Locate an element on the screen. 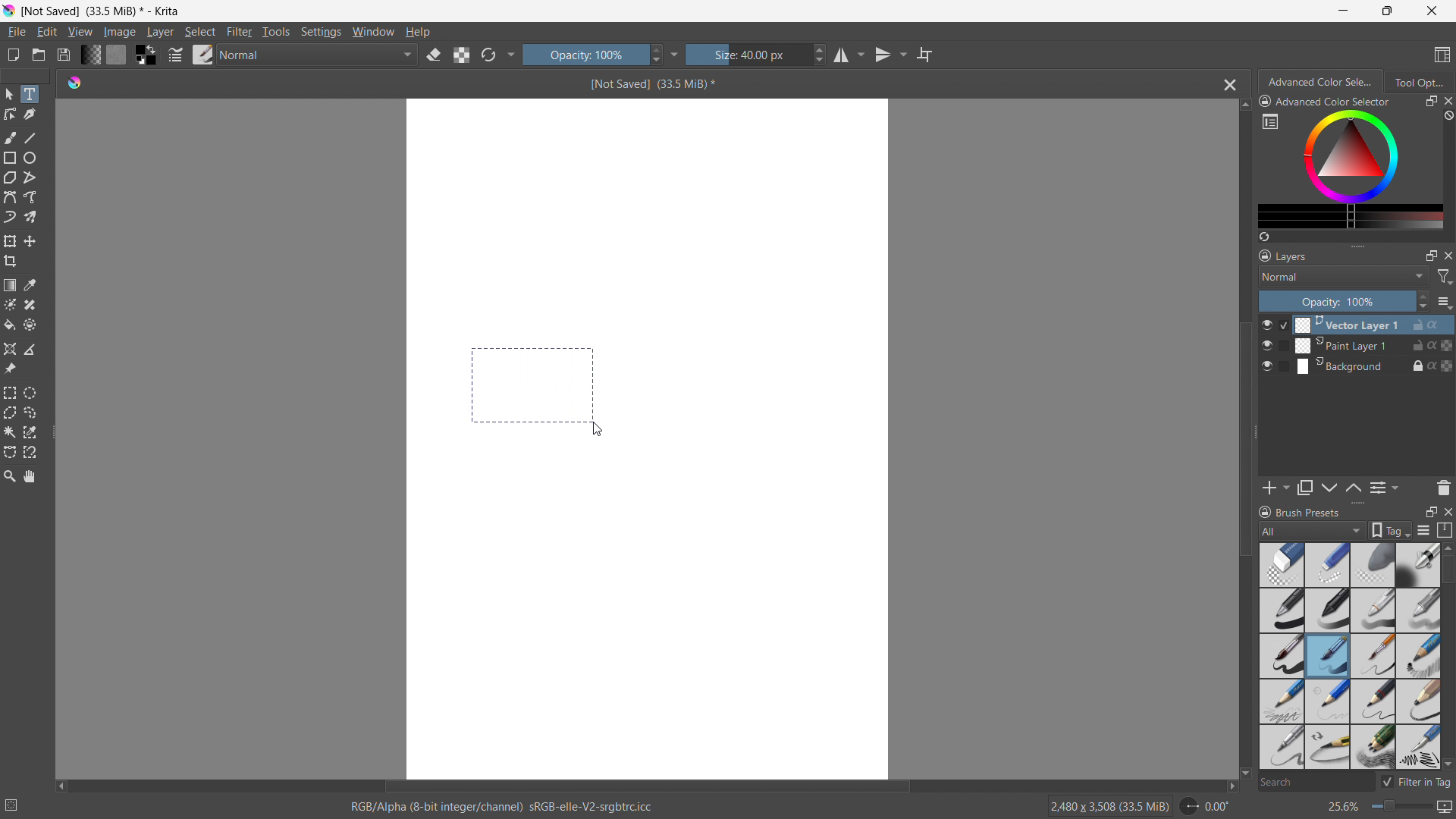 The width and height of the screenshot is (1456, 819). file is located at coordinates (16, 32).